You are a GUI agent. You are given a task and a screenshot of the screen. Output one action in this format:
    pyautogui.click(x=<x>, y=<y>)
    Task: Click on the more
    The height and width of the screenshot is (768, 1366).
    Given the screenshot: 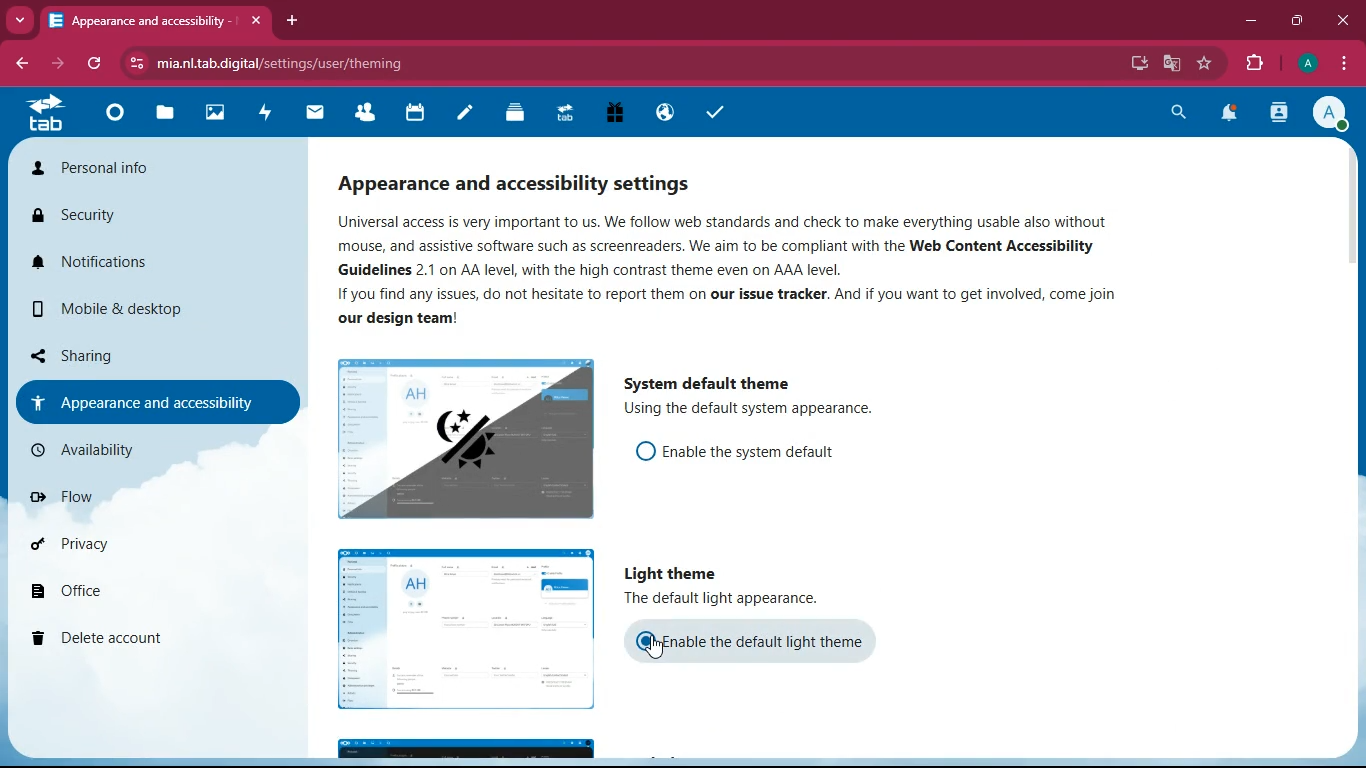 What is the action you would take?
    pyautogui.click(x=21, y=20)
    